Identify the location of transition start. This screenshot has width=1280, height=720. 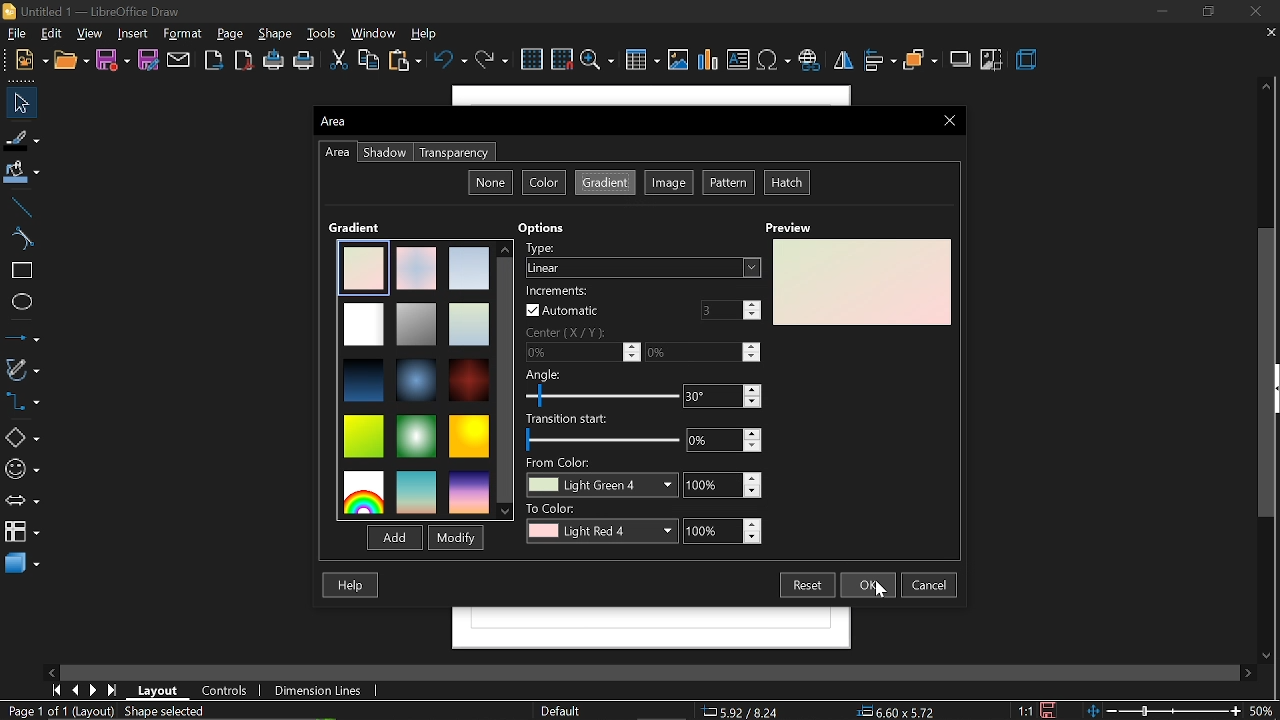
(601, 434).